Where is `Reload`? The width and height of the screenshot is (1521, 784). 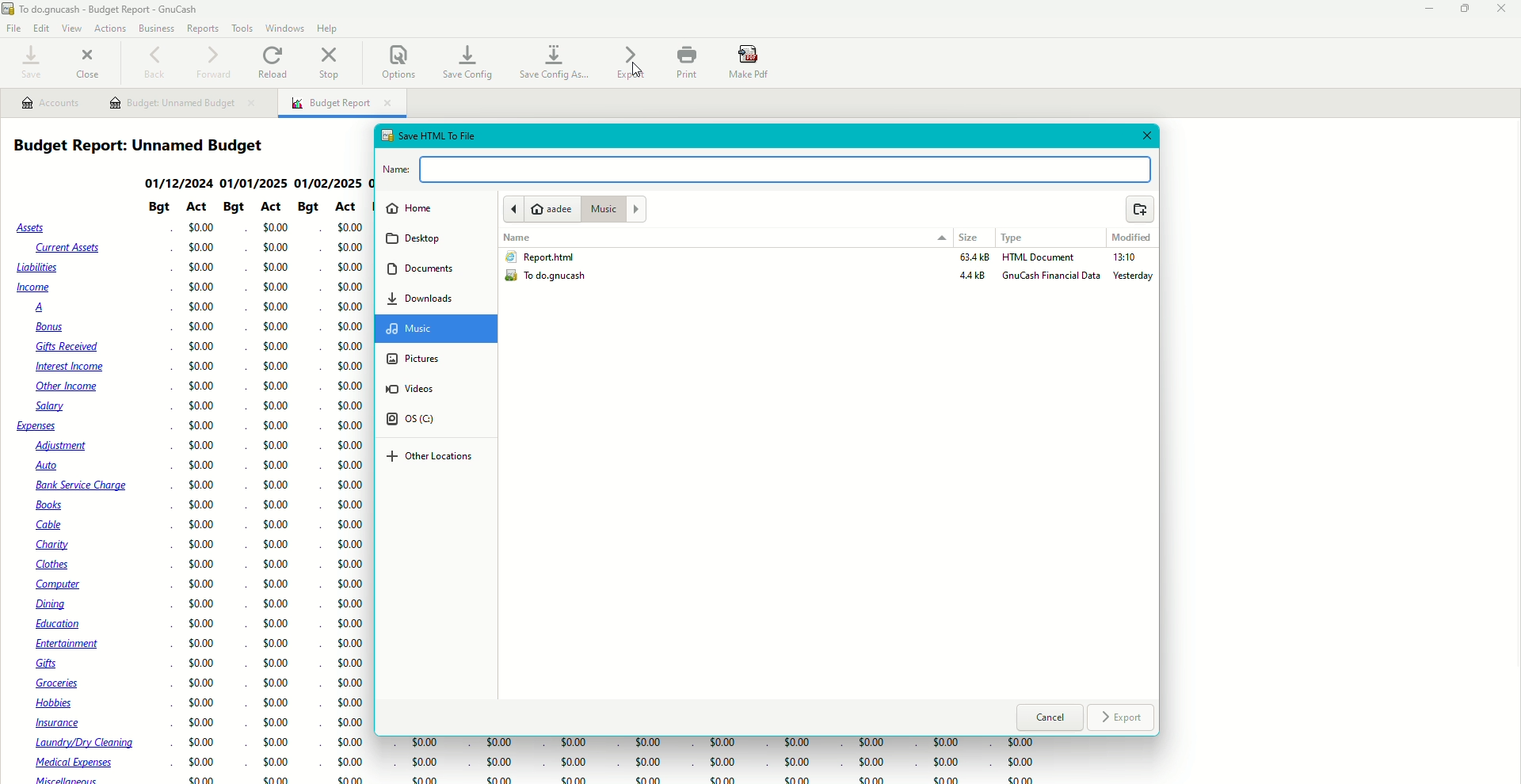 Reload is located at coordinates (275, 61).